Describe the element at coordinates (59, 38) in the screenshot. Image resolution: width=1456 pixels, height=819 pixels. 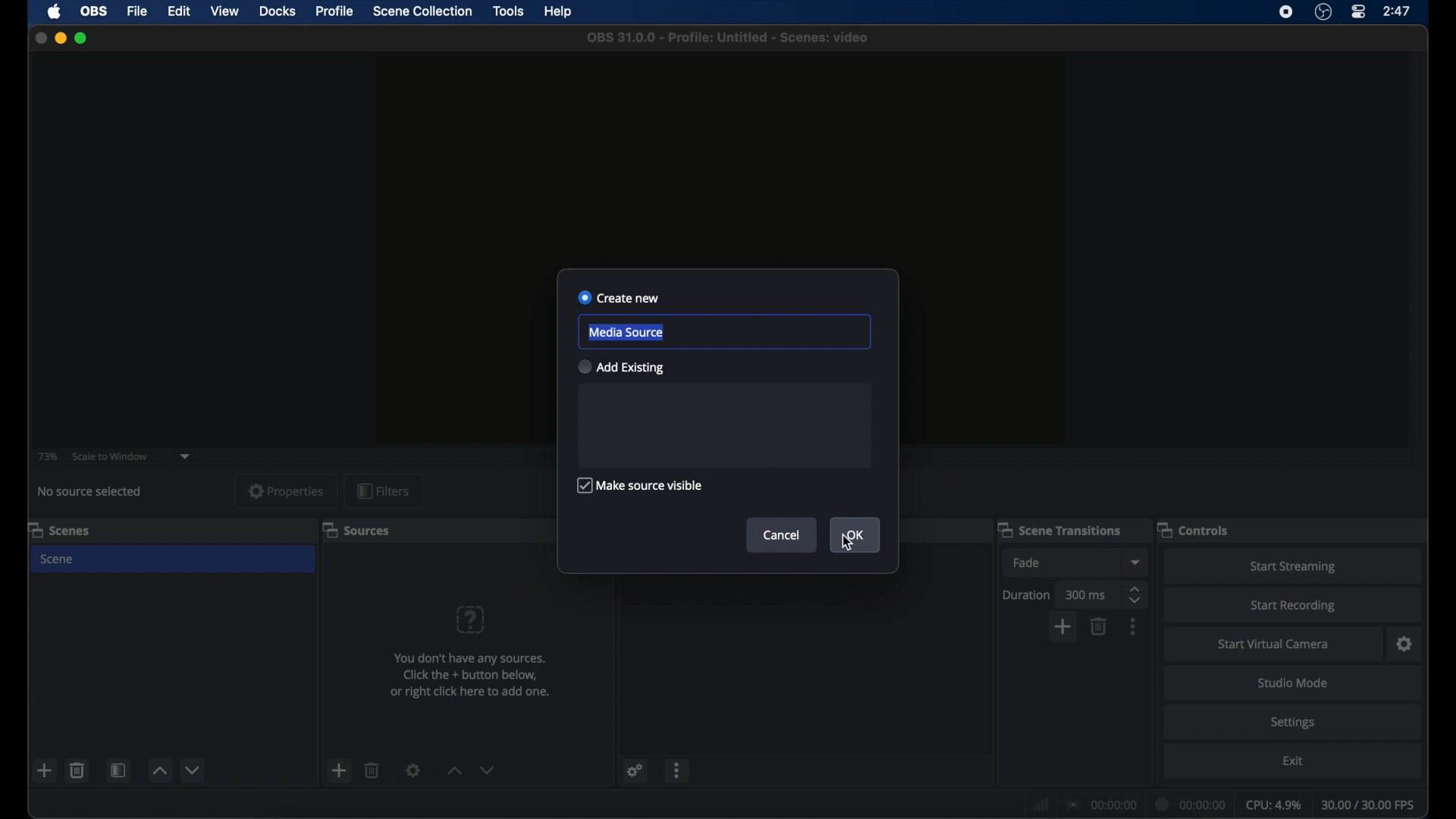
I see `minimize` at that location.